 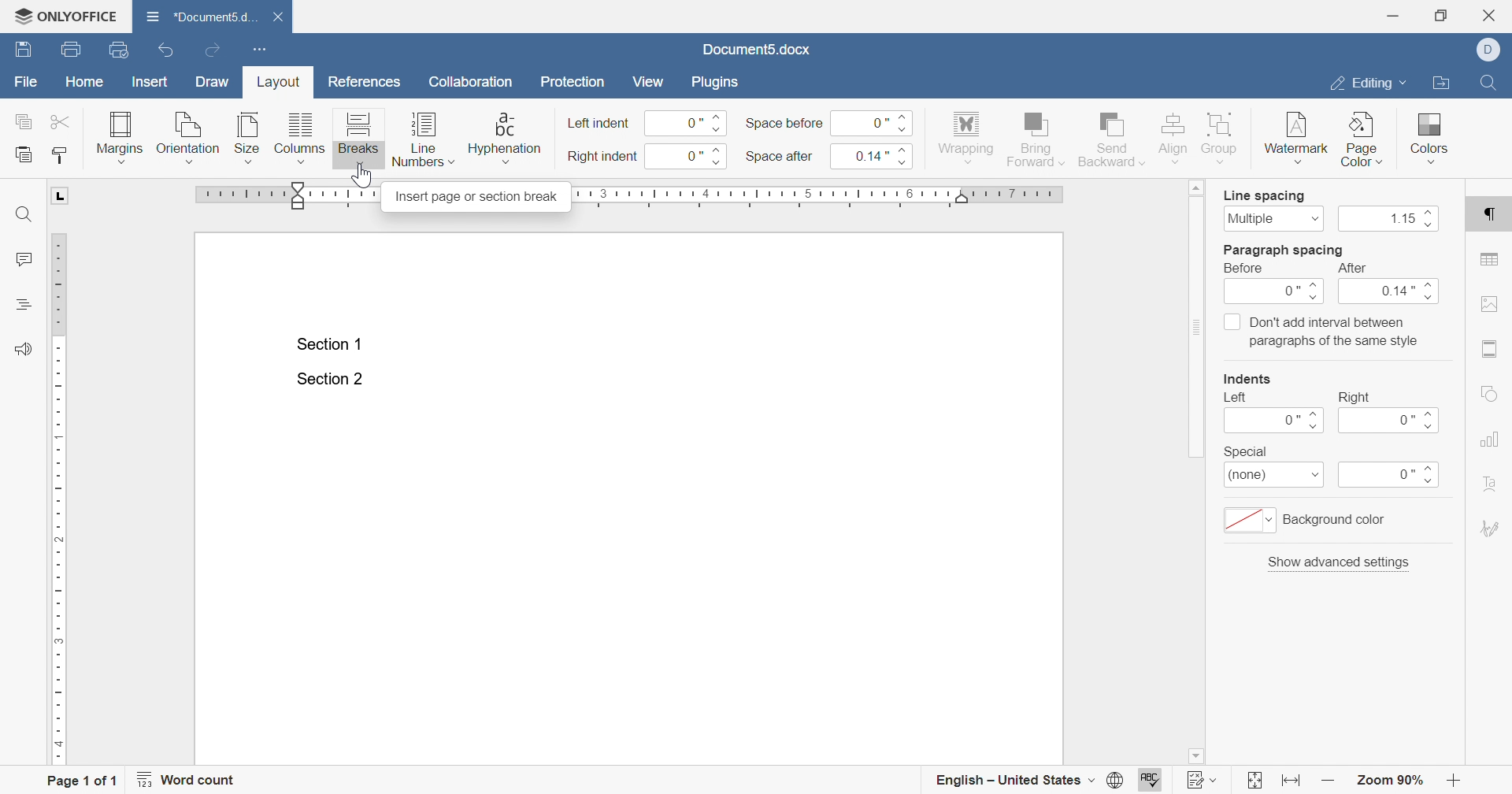 I want to click on after, so click(x=1351, y=269).